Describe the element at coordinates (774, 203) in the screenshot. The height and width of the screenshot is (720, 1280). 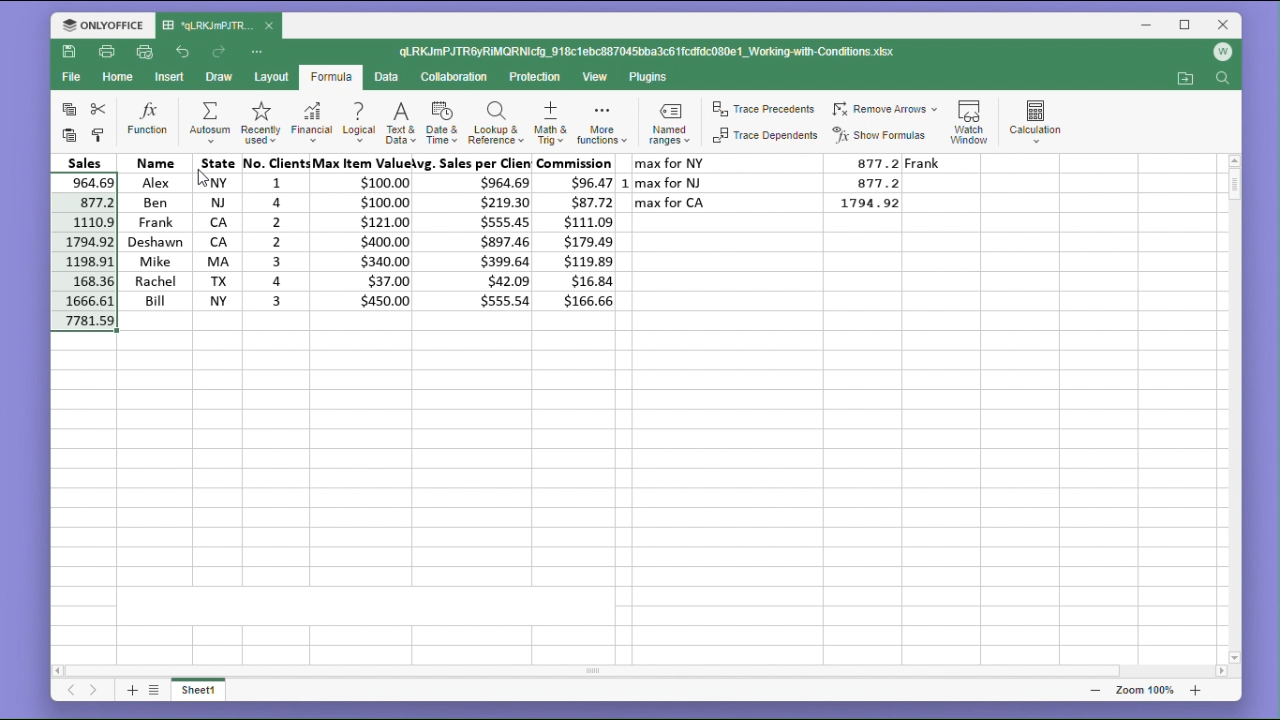
I see `max for CA 1794.92` at that location.